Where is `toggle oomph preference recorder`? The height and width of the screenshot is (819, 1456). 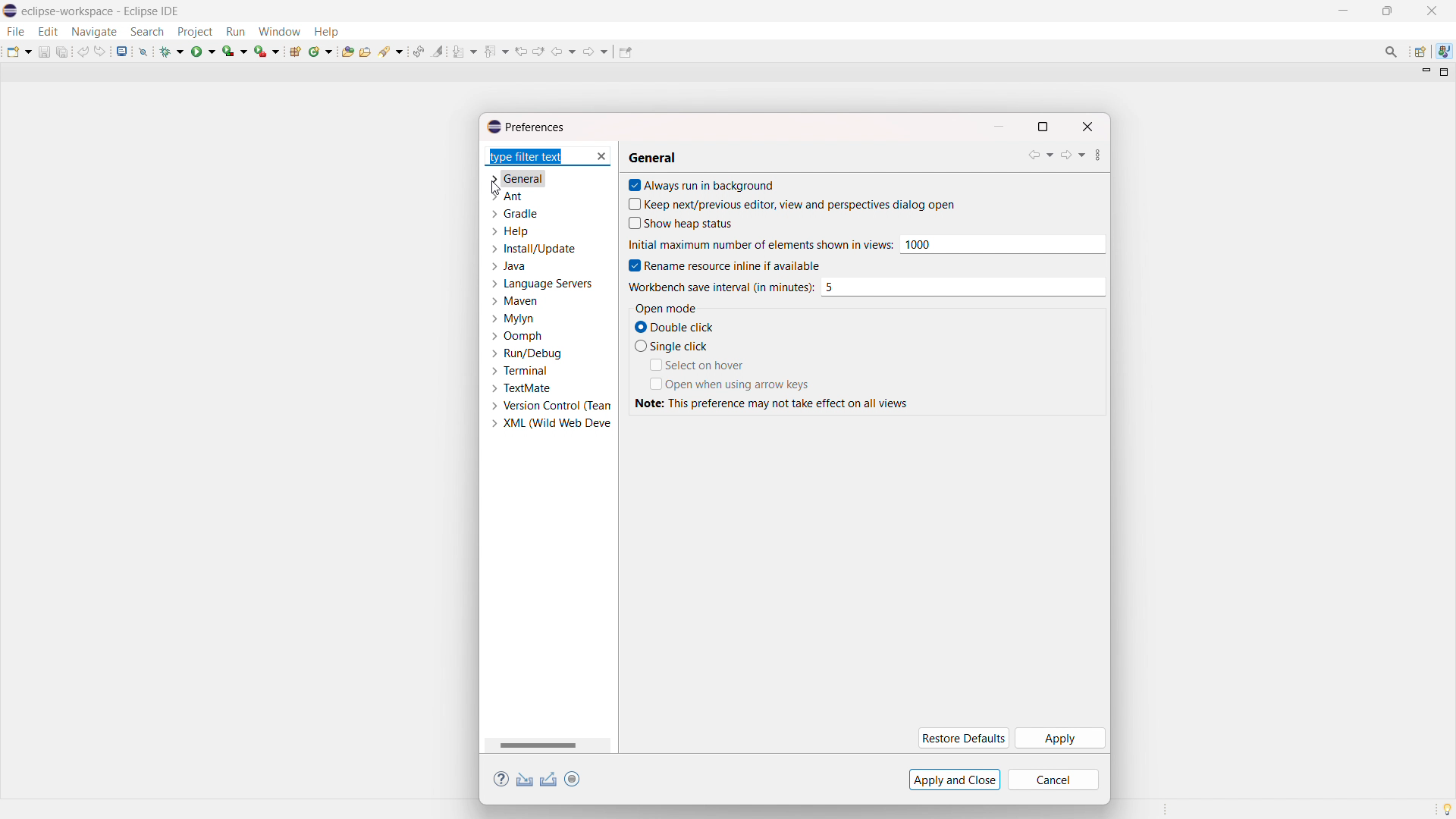
toggle oomph preference recorder is located at coordinates (572, 779).